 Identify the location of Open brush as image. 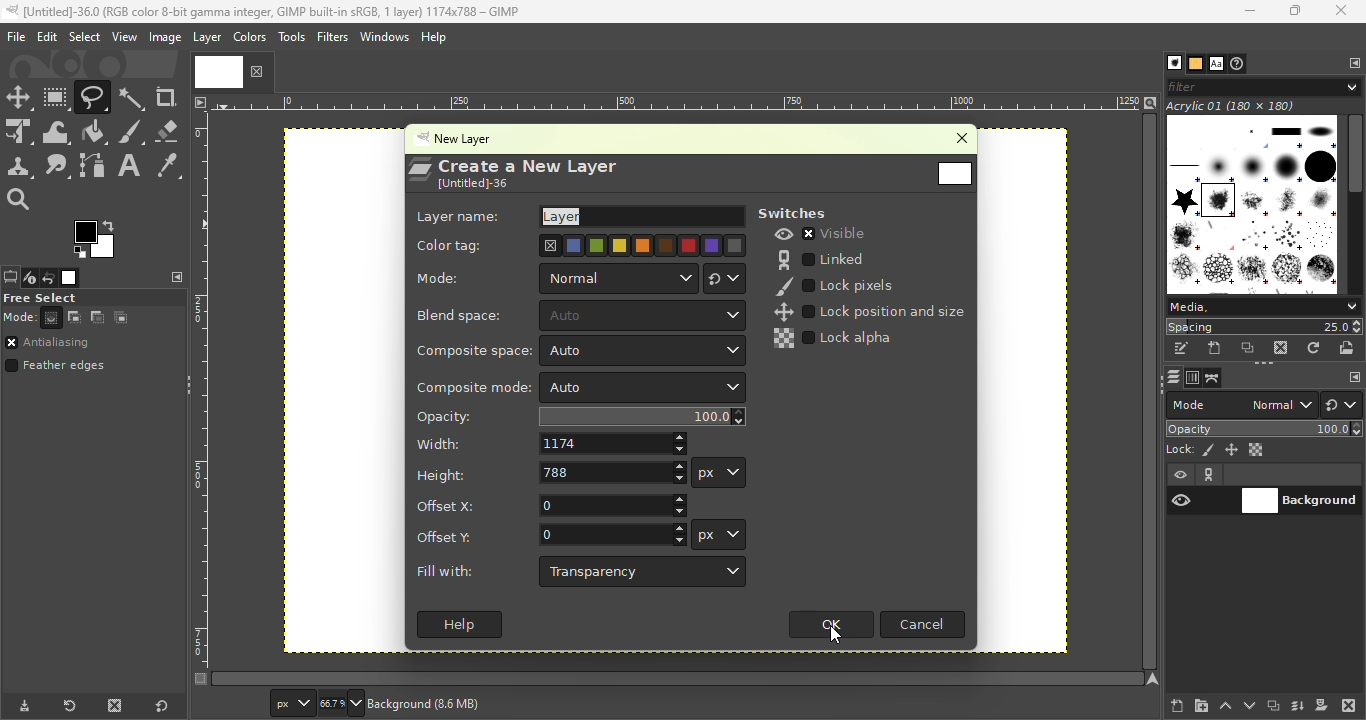
(1350, 348).